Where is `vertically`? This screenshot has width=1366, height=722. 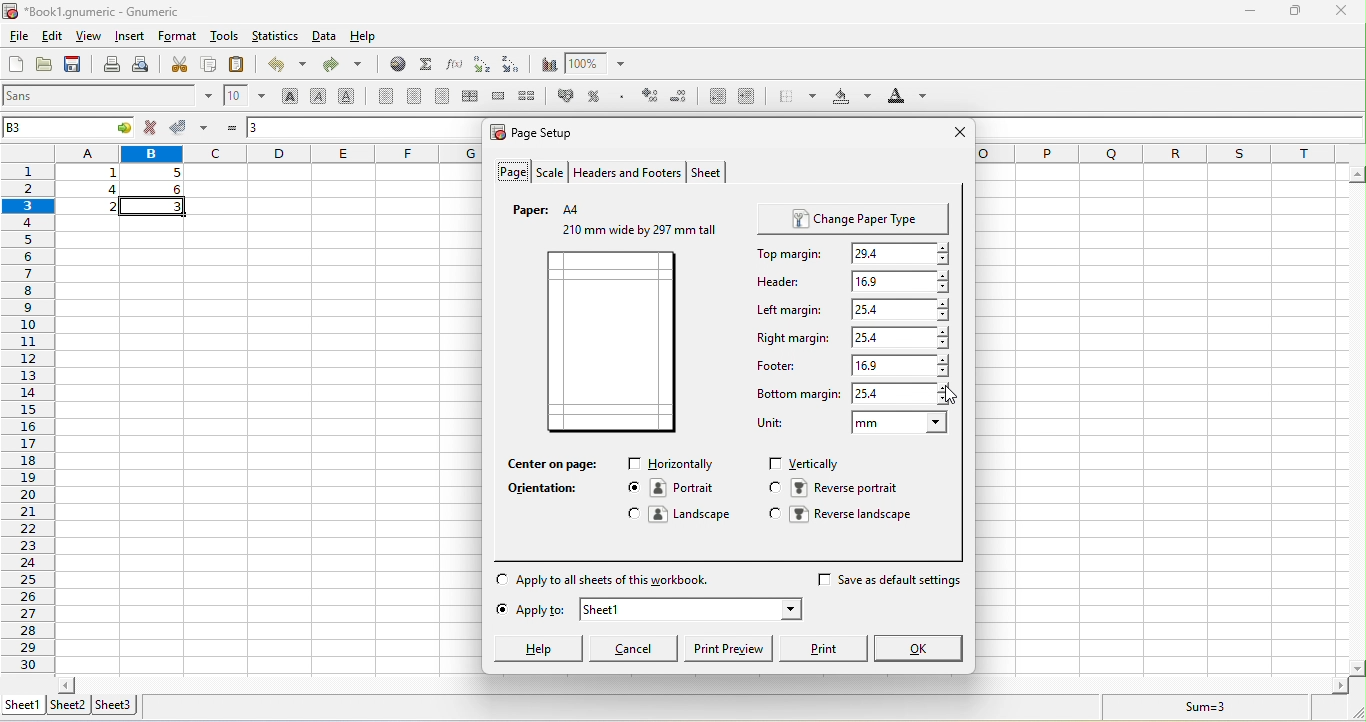 vertically is located at coordinates (811, 463).